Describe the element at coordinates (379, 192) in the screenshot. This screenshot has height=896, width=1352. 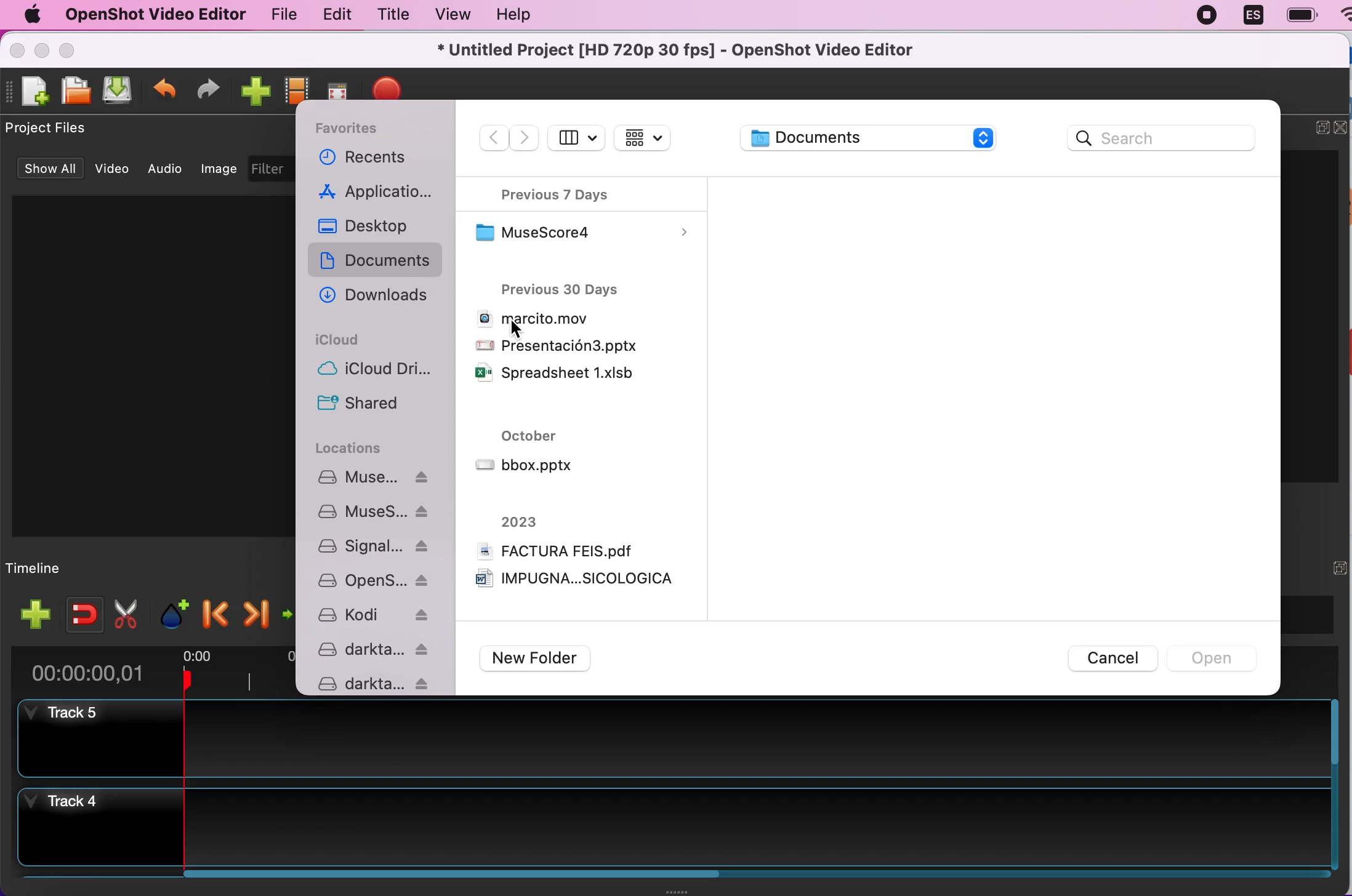
I see `applications` at that location.